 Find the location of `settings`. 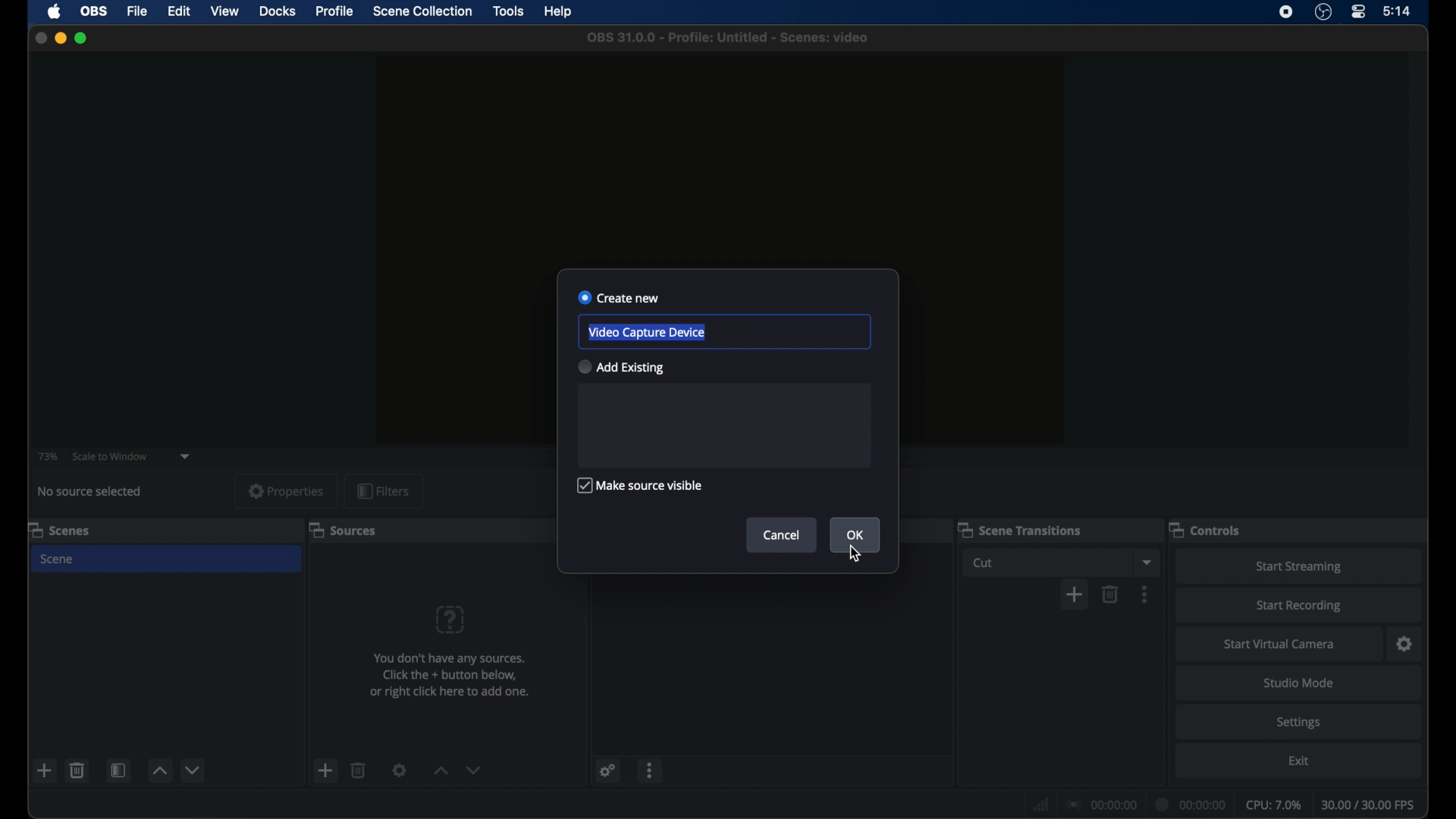

settings is located at coordinates (1298, 722).